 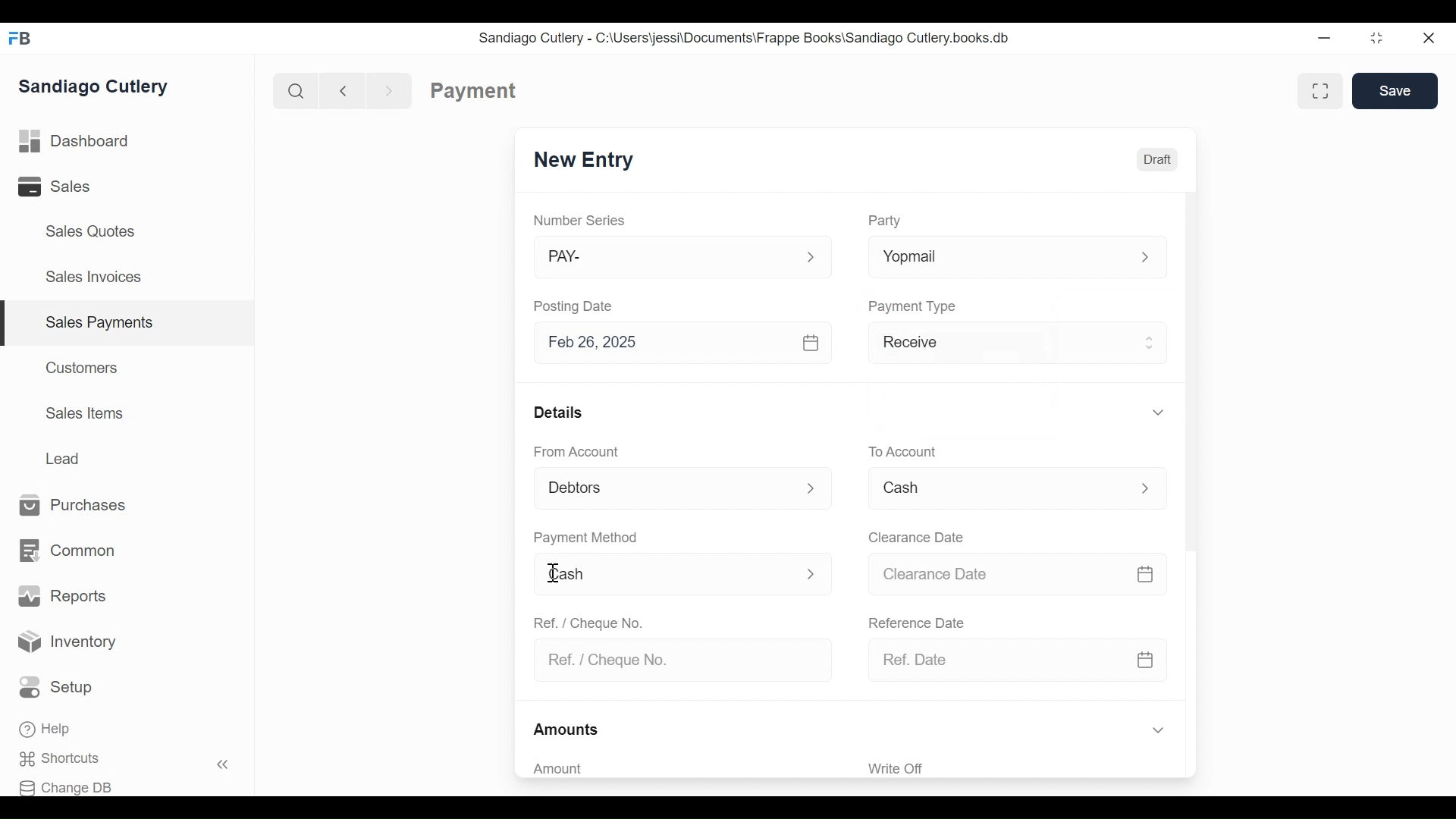 I want to click on Ref. / Cheque No., so click(x=587, y=622).